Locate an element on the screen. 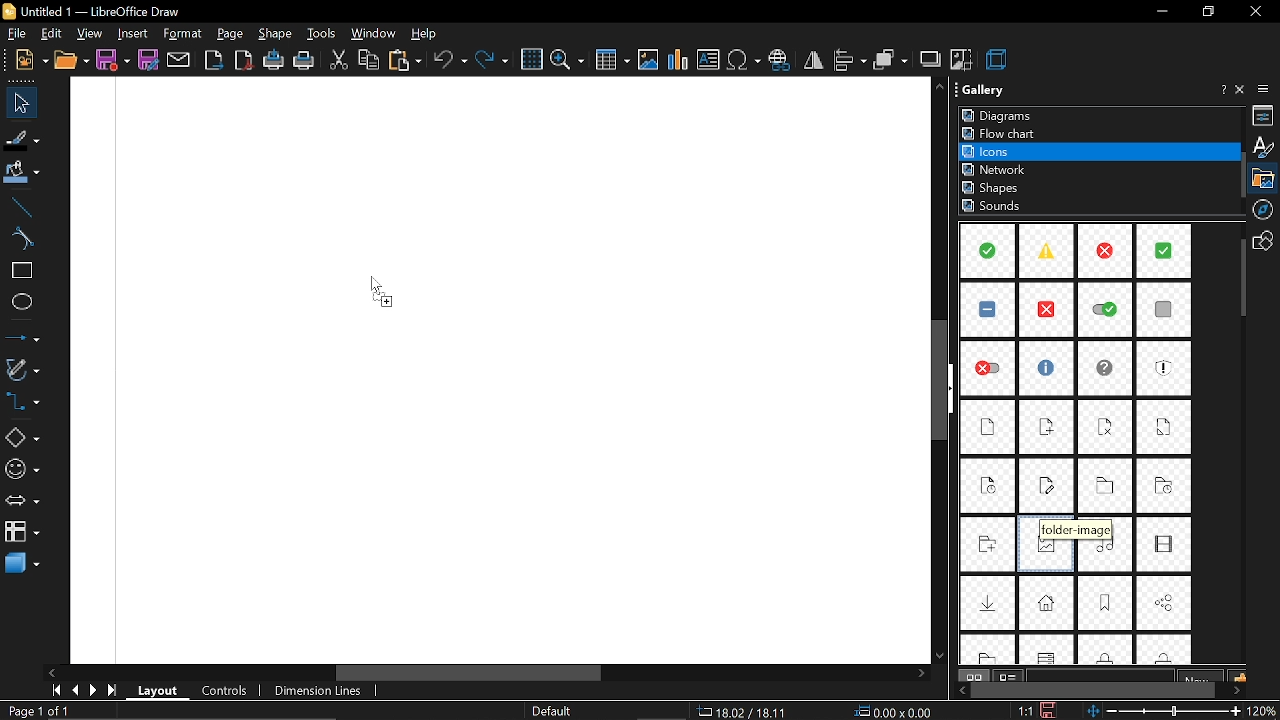  edit is located at coordinates (54, 34).